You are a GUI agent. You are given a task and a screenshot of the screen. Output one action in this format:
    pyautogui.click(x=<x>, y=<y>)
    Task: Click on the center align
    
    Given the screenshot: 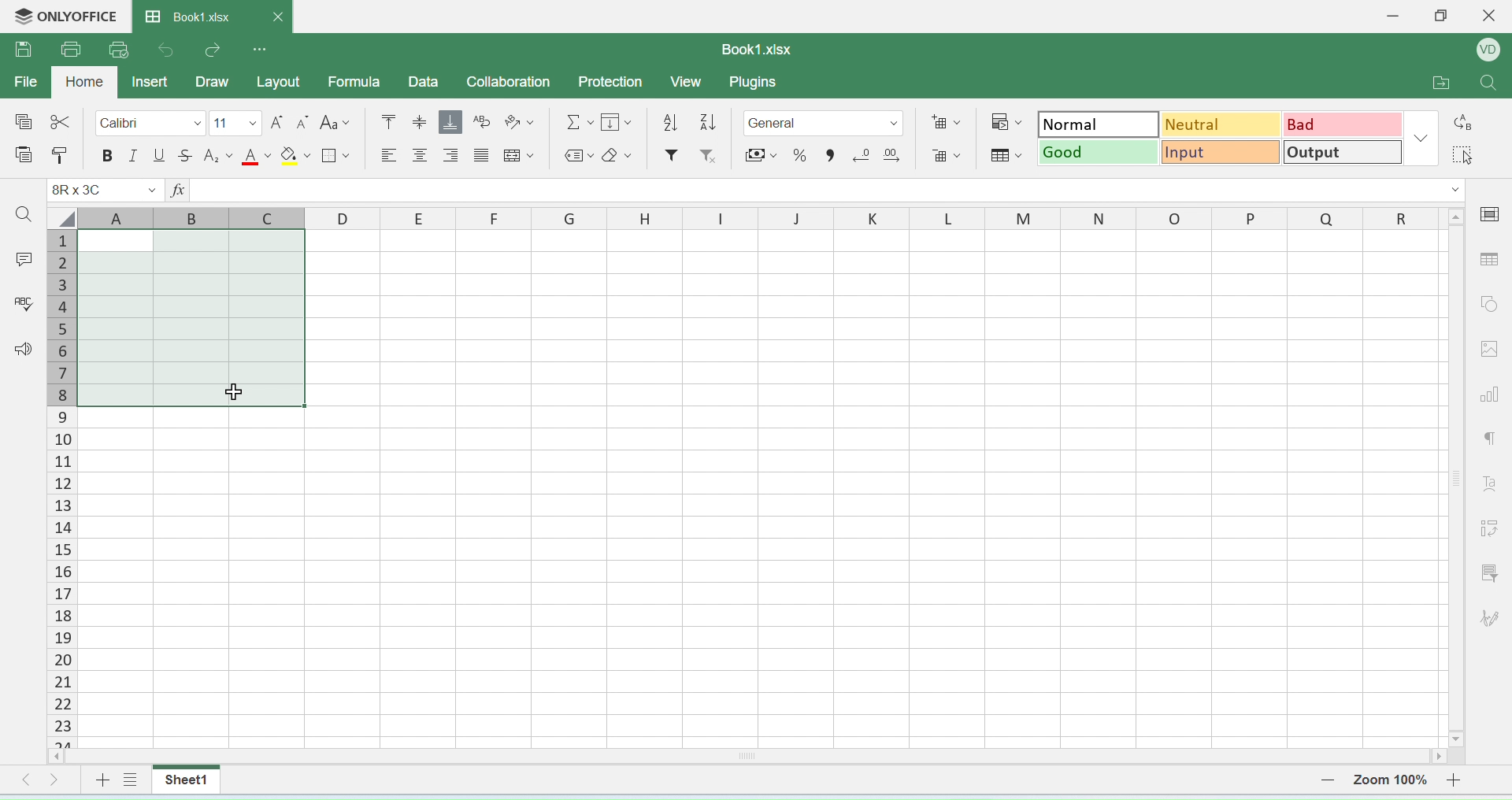 What is the action you would take?
    pyautogui.click(x=482, y=157)
    